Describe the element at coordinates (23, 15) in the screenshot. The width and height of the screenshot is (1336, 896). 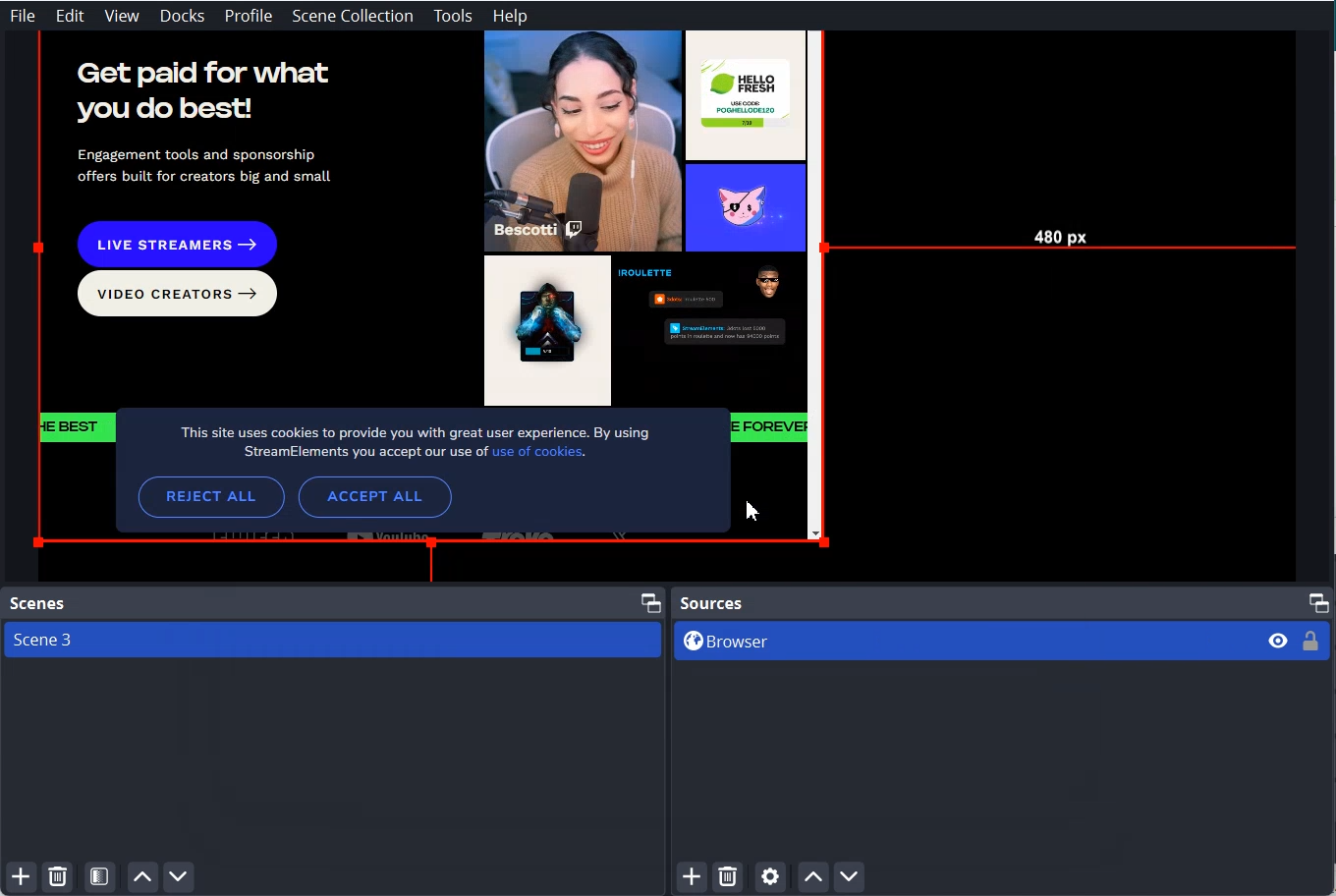
I see `File` at that location.